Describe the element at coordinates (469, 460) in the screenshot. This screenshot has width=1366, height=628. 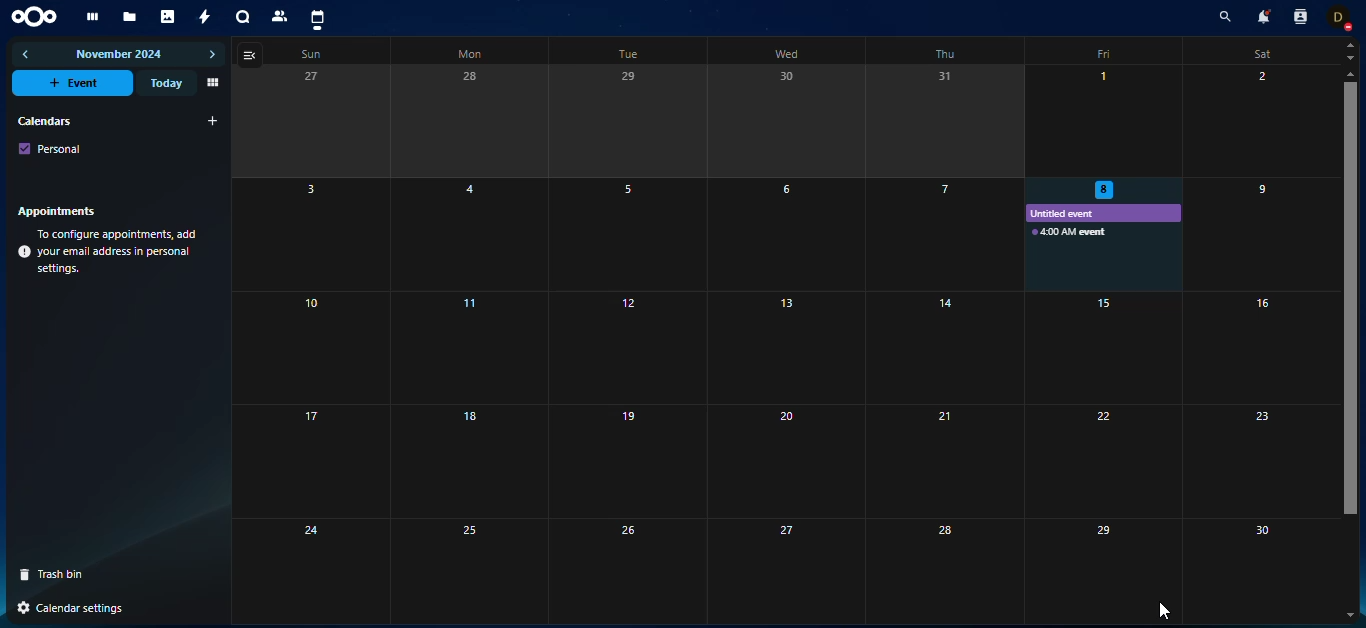
I see `18` at that location.